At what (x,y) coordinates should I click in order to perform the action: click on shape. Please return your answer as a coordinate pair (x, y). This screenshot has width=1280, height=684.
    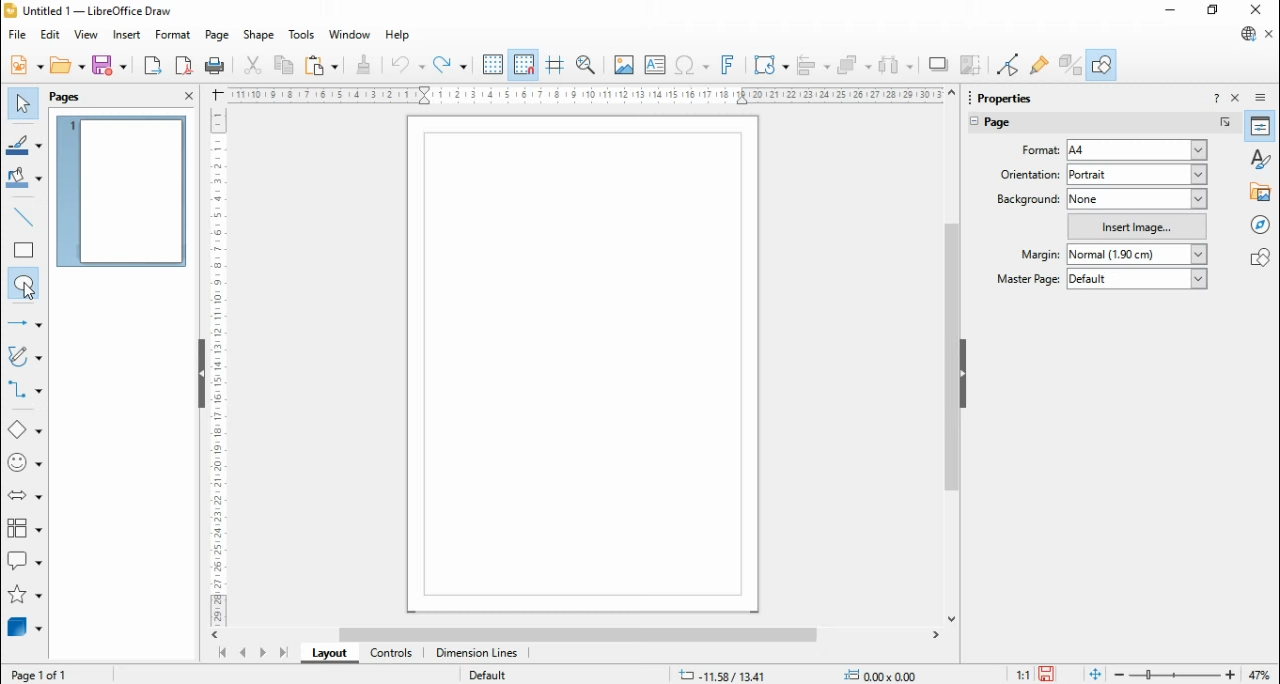
    Looking at the image, I should click on (258, 35).